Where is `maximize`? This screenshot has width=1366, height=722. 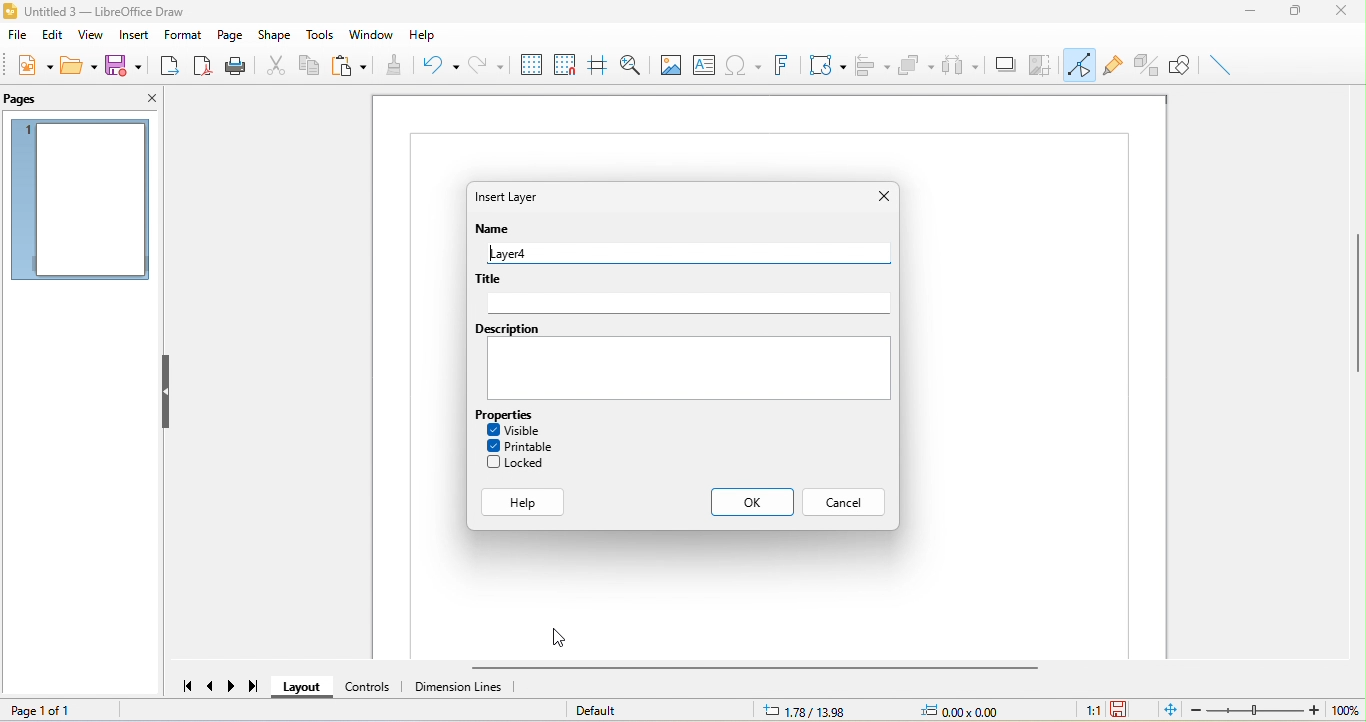 maximize is located at coordinates (1298, 11).